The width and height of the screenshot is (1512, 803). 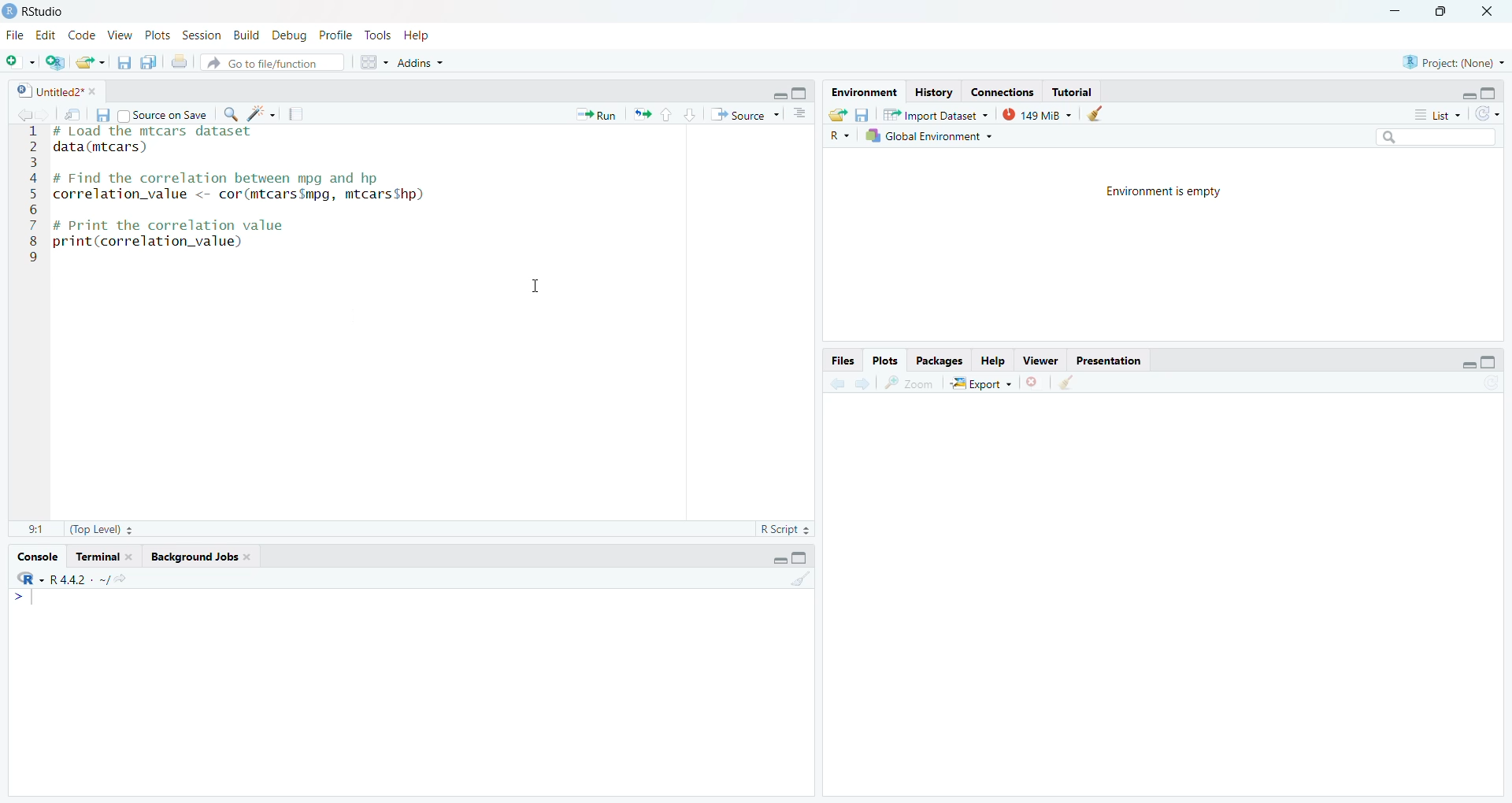 What do you see at coordinates (244, 35) in the screenshot?
I see `Build` at bounding box center [244, 35].